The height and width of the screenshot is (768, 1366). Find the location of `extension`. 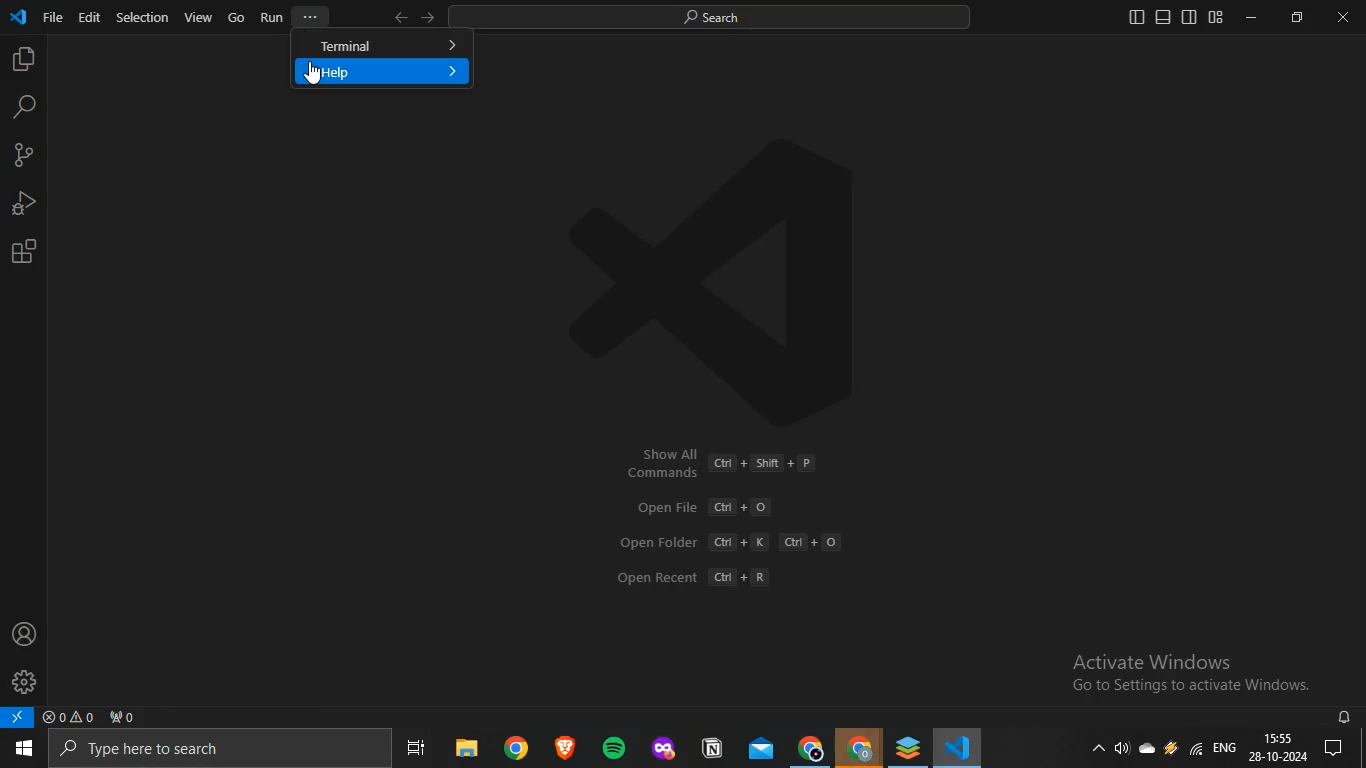

extension is located at coordinates (25, 251).